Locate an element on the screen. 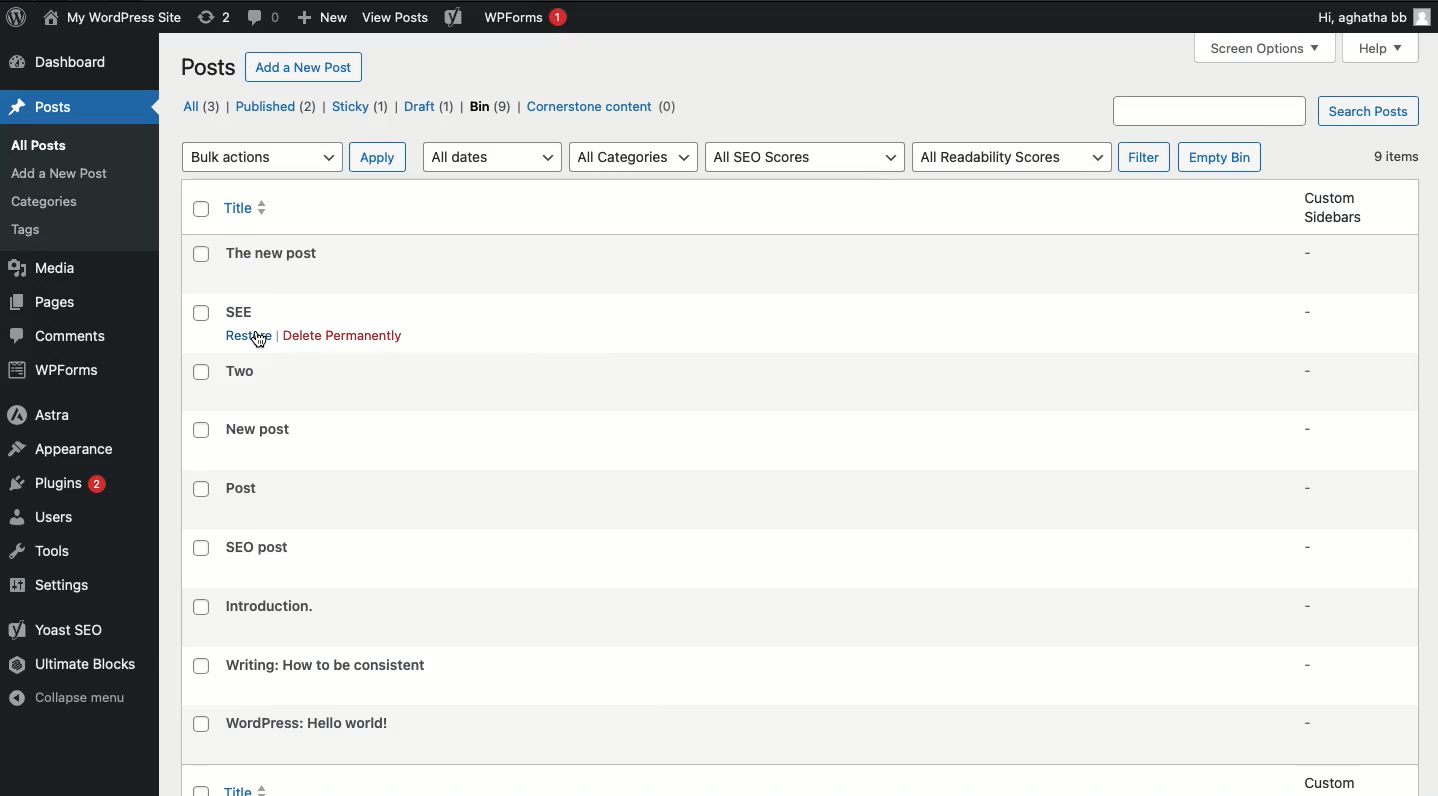 Image resolution: width=1438 pixels, height=796 pixels. Help is located at coordinates (1380, 50).